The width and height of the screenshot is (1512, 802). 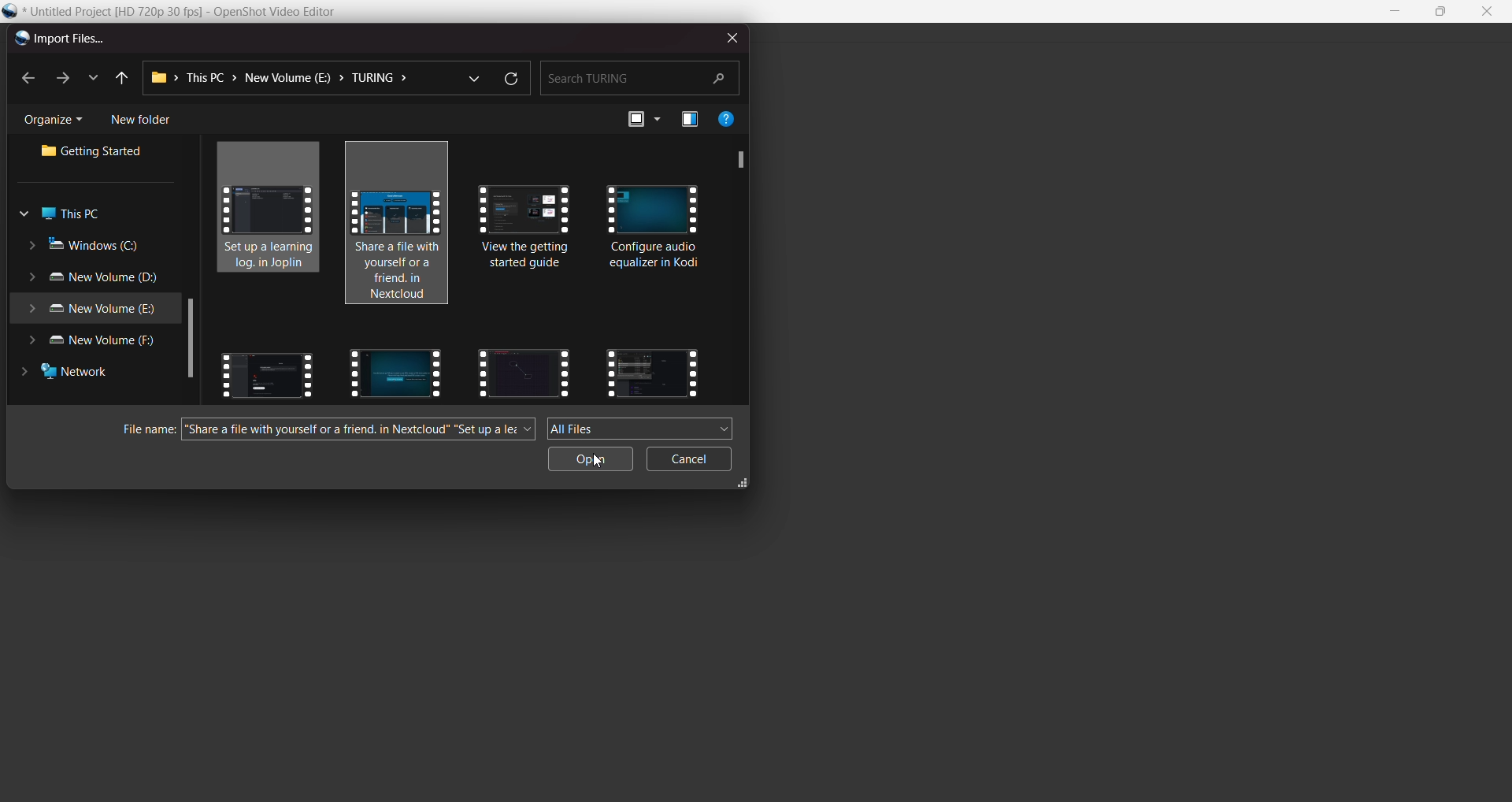 I want to click on scroll bar, so click(x=190, y=340).